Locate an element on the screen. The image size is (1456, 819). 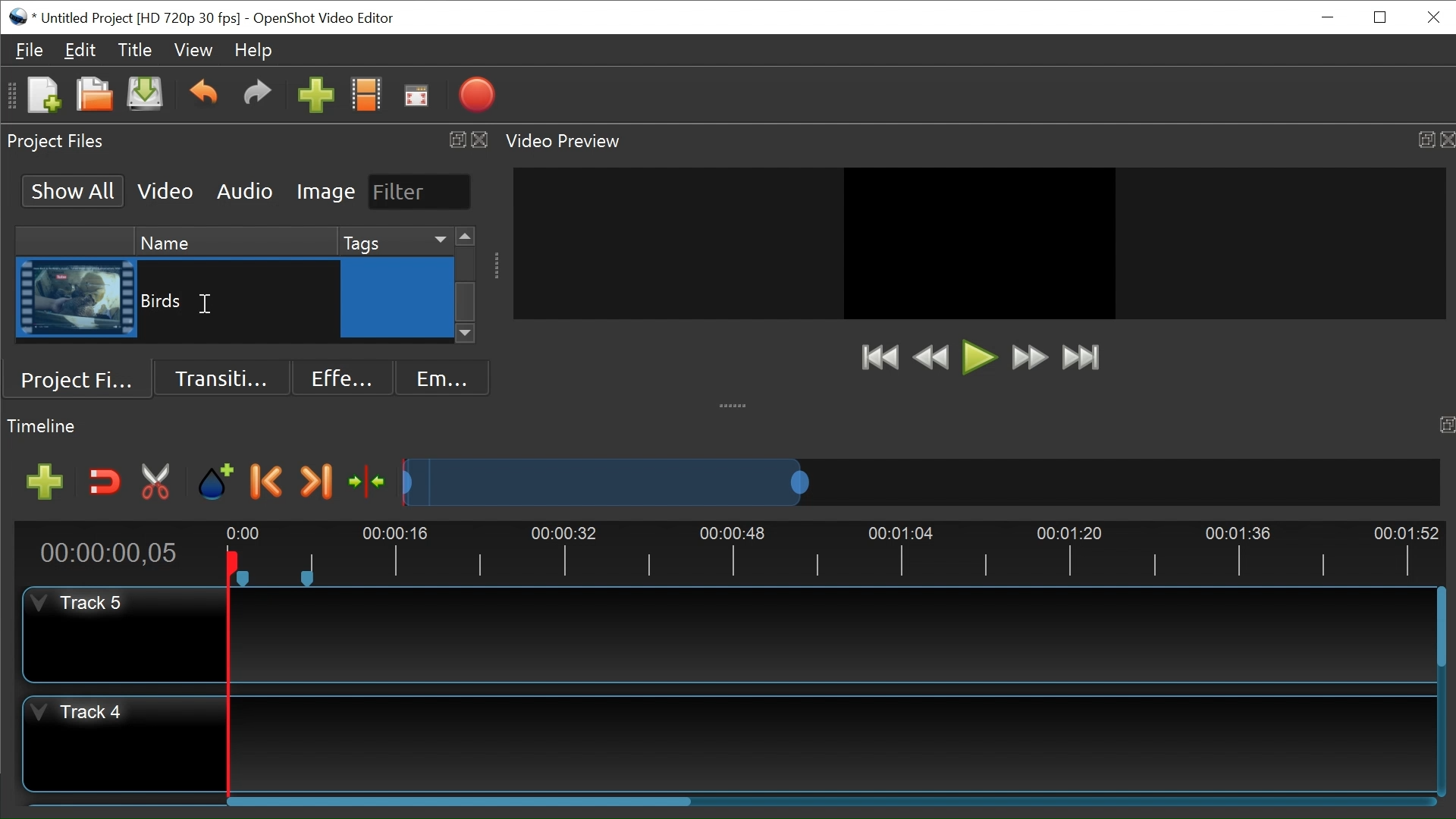
Cursor is located at coordinates (399, 300).